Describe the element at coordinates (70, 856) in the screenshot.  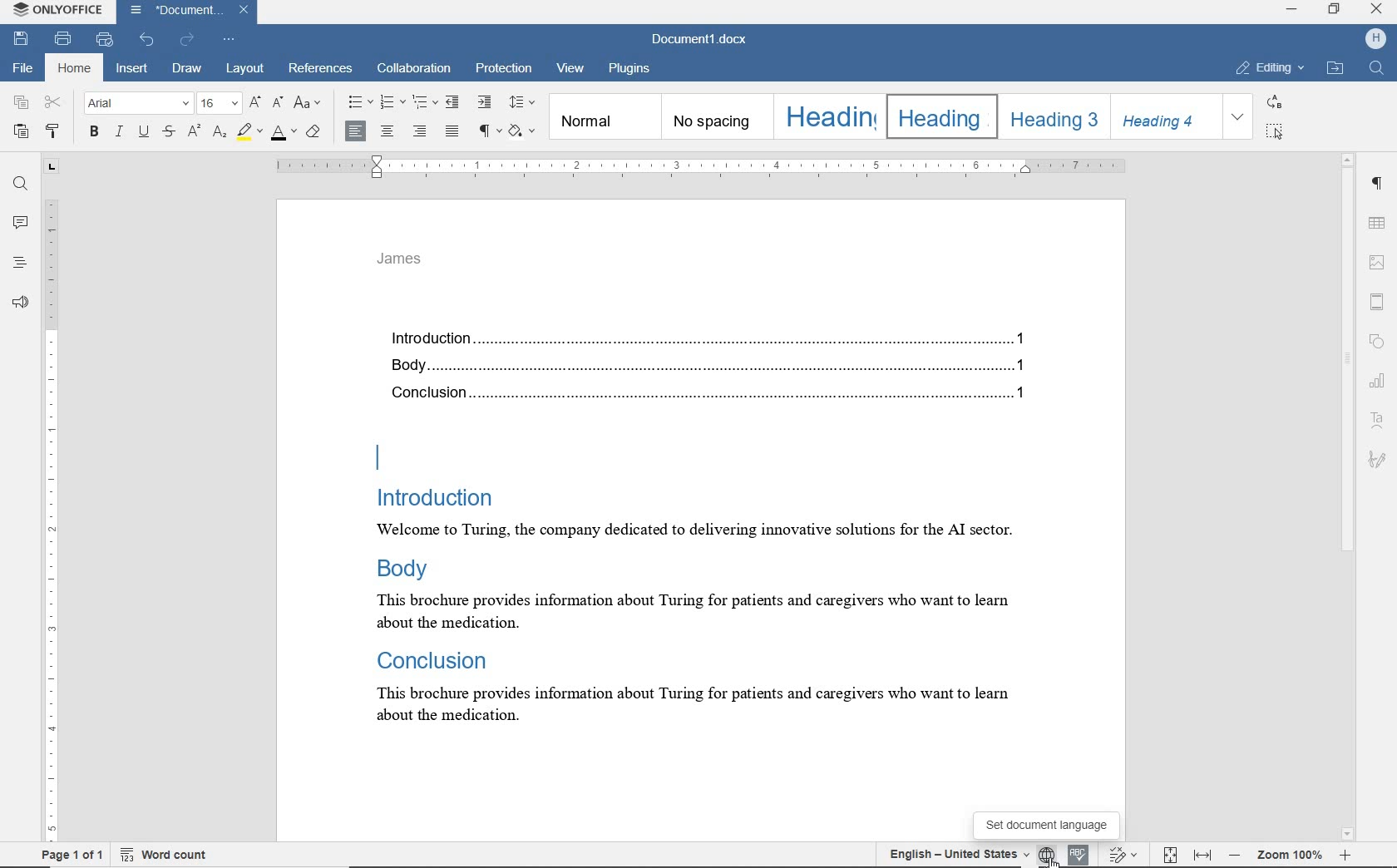
I see `page 1 of 1` at that location.